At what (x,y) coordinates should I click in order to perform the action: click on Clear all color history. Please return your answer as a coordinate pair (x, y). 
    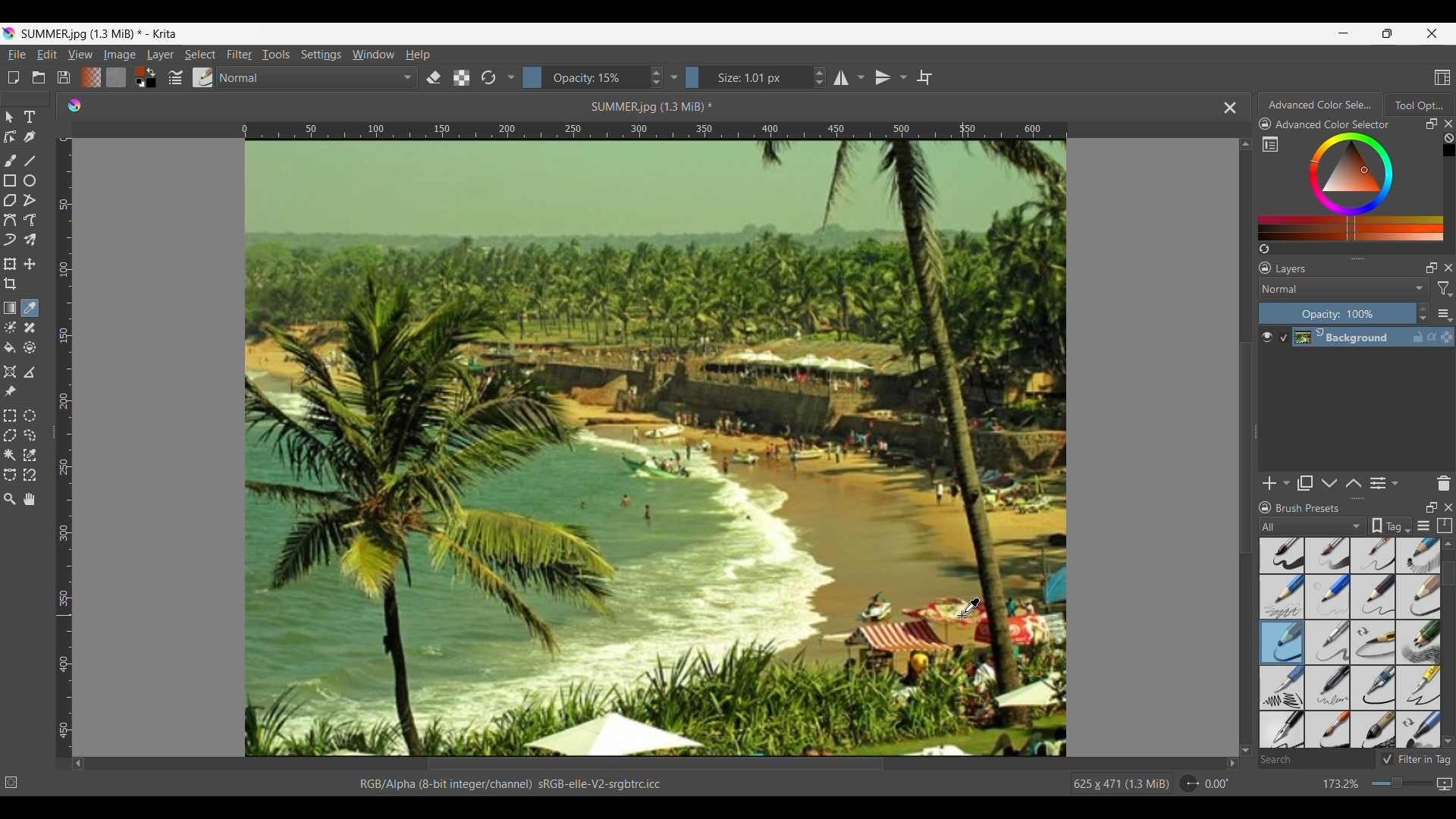
    Looking at the image, I should click on (1448, 138).